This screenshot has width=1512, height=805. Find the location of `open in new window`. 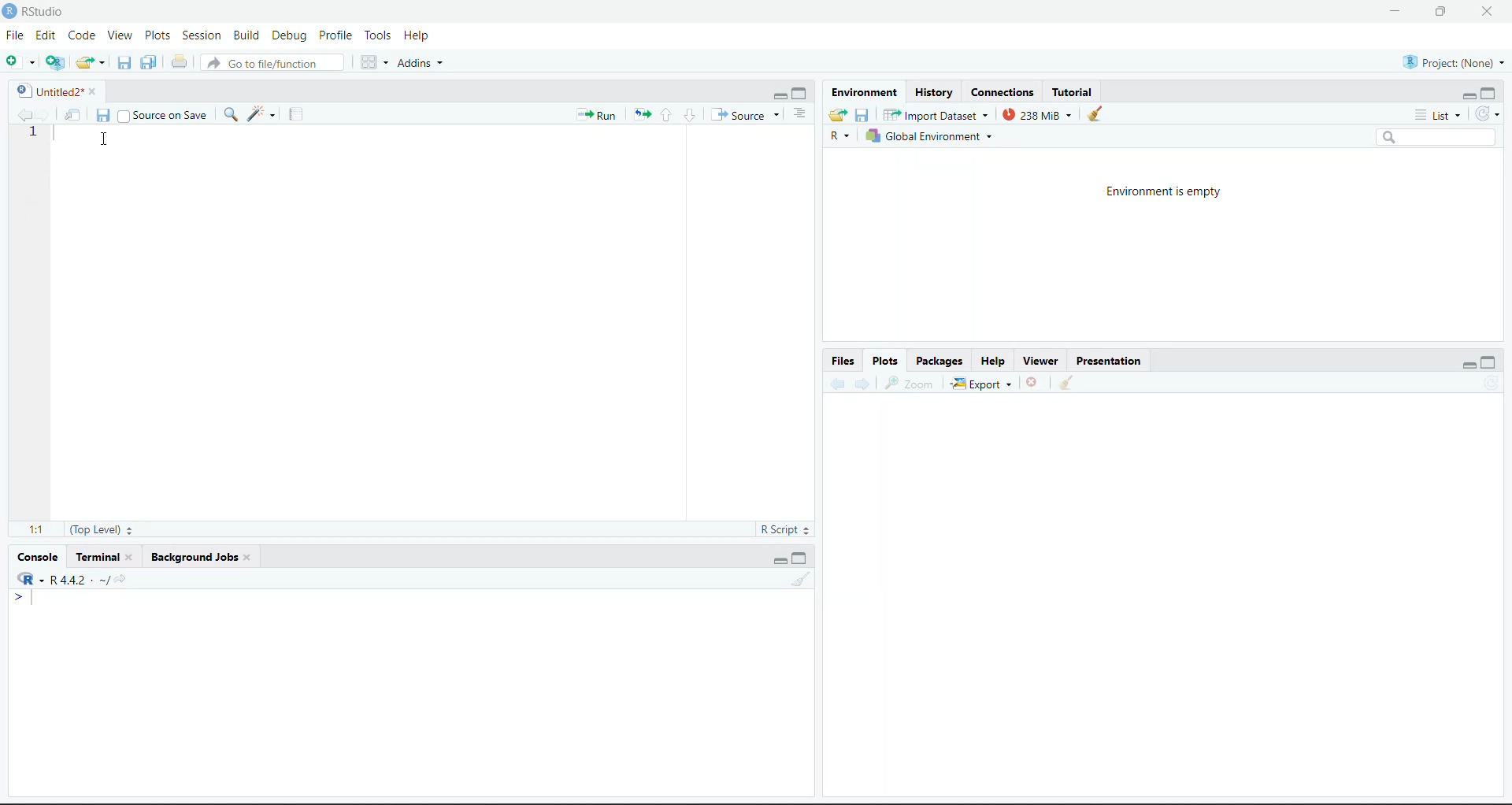

open in new window is located at coordinates (73, 114).